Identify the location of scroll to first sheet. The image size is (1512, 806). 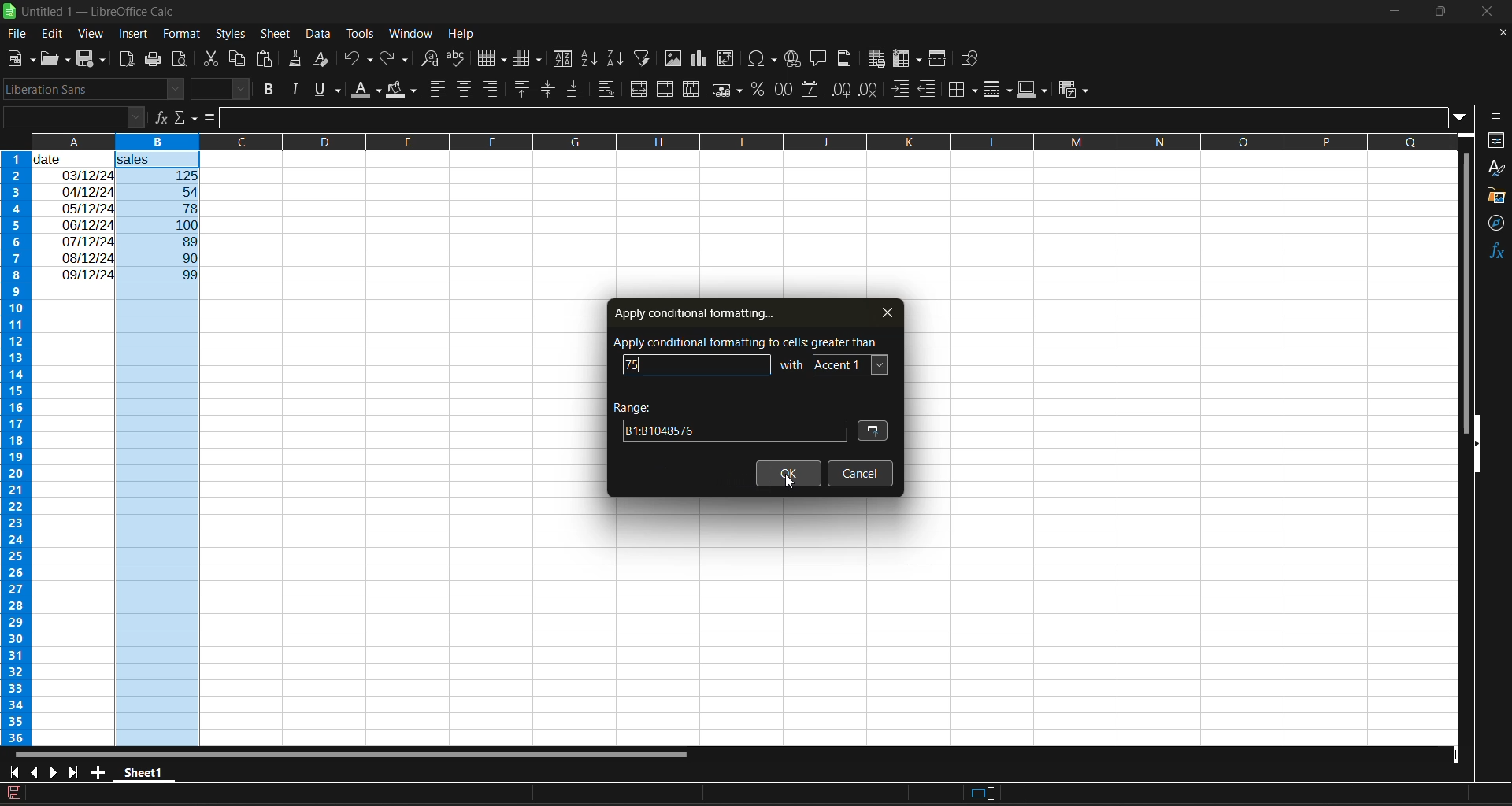
(13, 773).